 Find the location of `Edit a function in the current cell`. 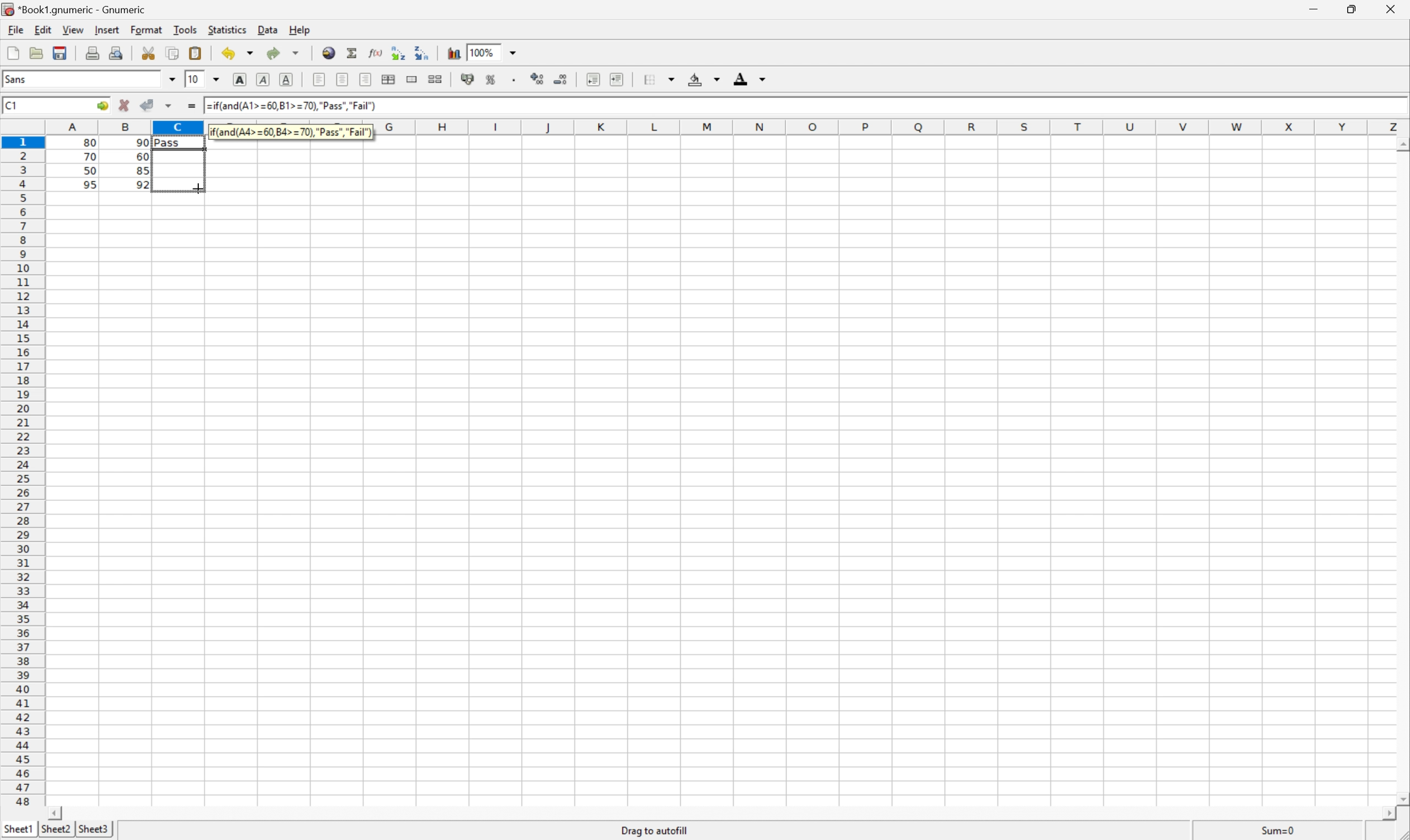

Edit a function in the current cell is located at coordinates (376, 54).